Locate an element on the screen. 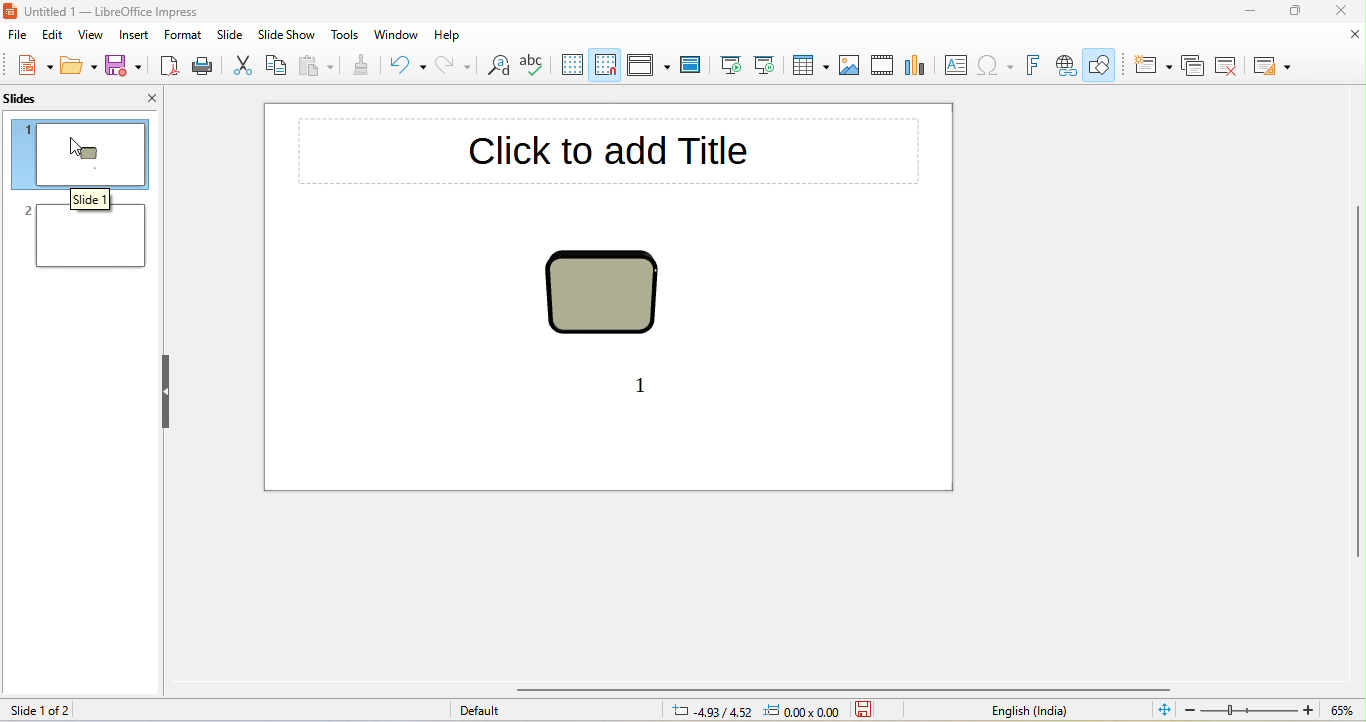  file is located at coordinates (19, 36).